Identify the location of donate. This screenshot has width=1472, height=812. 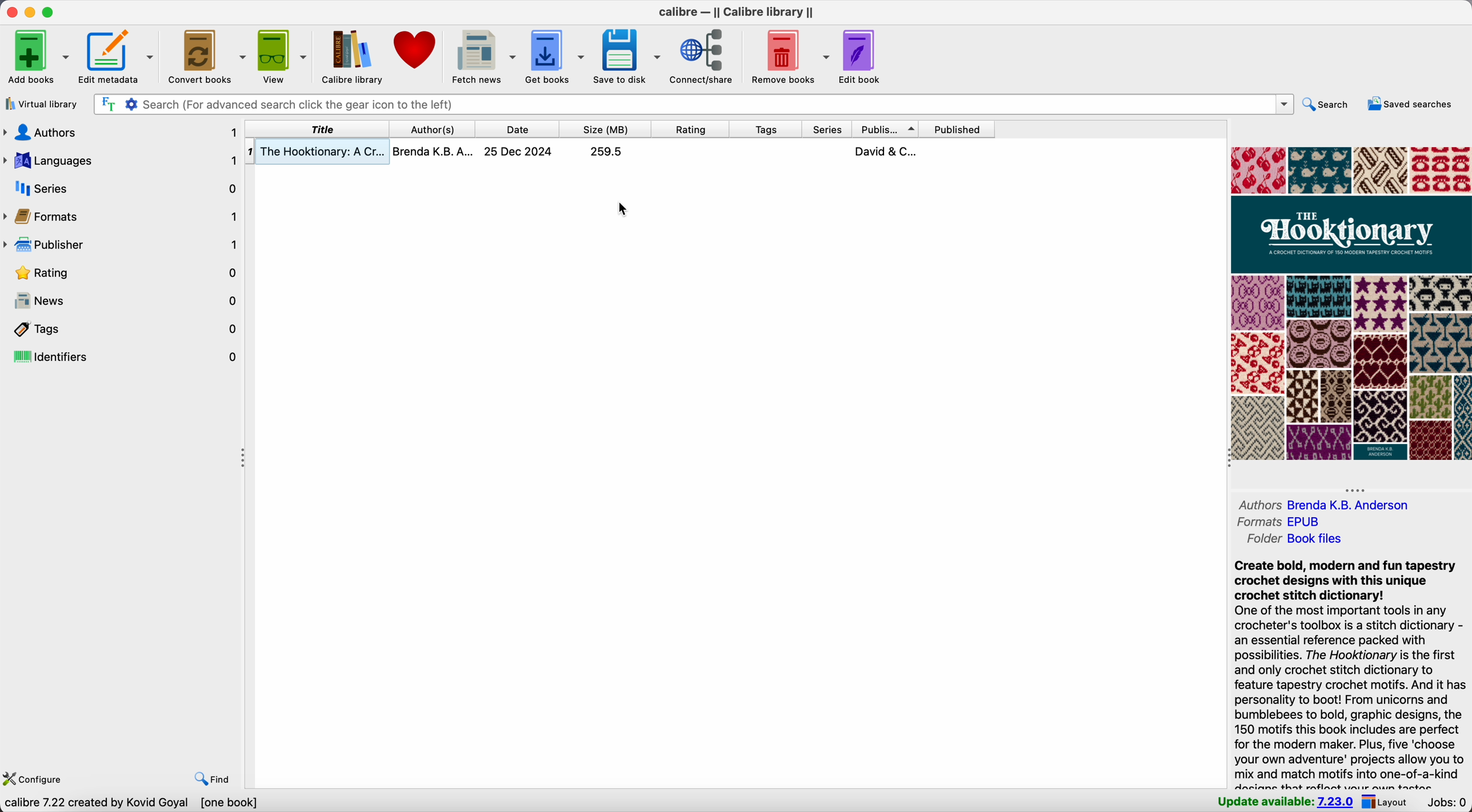
(416, 52).